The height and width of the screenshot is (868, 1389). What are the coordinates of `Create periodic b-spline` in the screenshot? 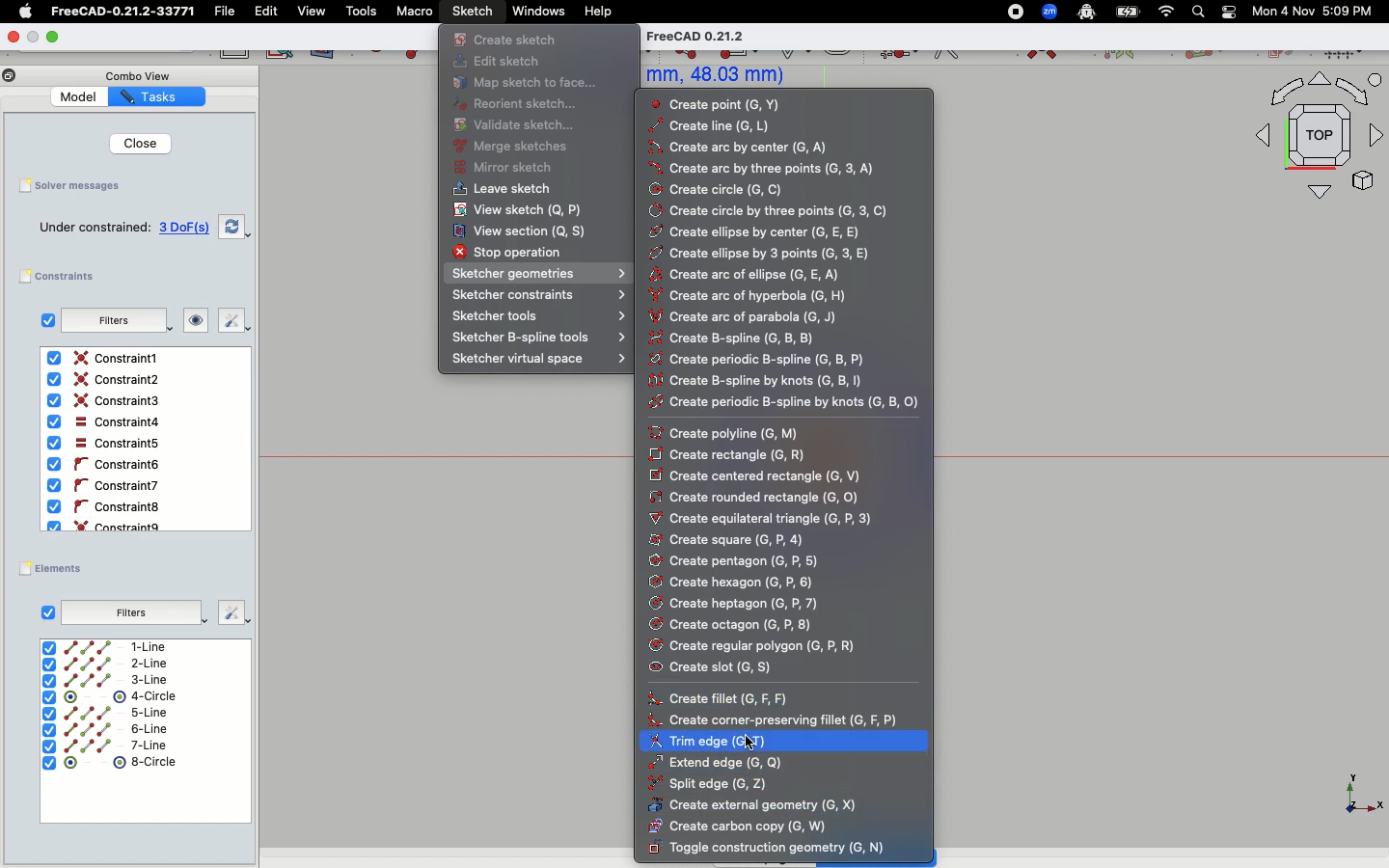 It's located at (761, 361).